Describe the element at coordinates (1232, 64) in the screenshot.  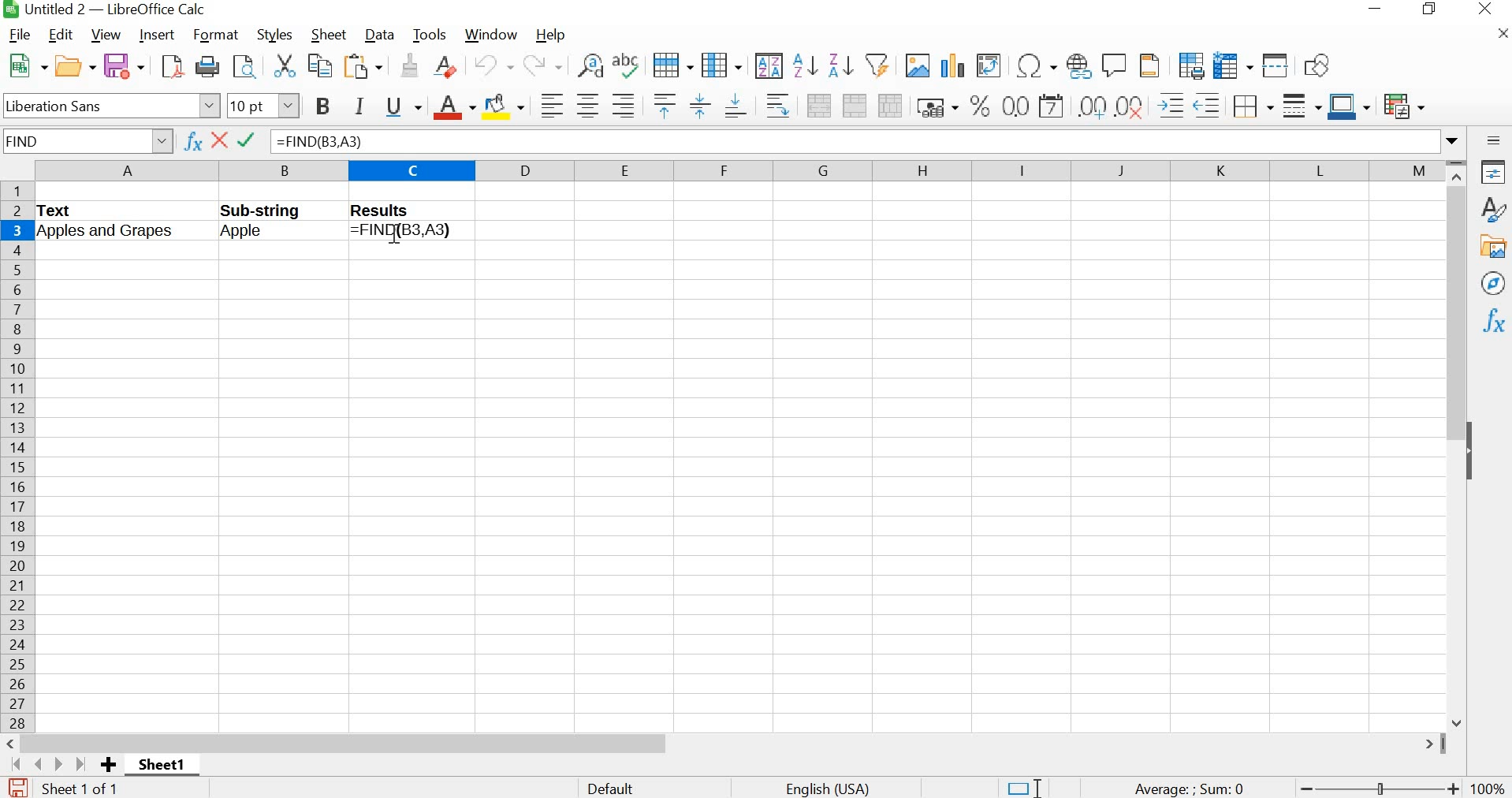
I see `freeze rows and columns` at that location.